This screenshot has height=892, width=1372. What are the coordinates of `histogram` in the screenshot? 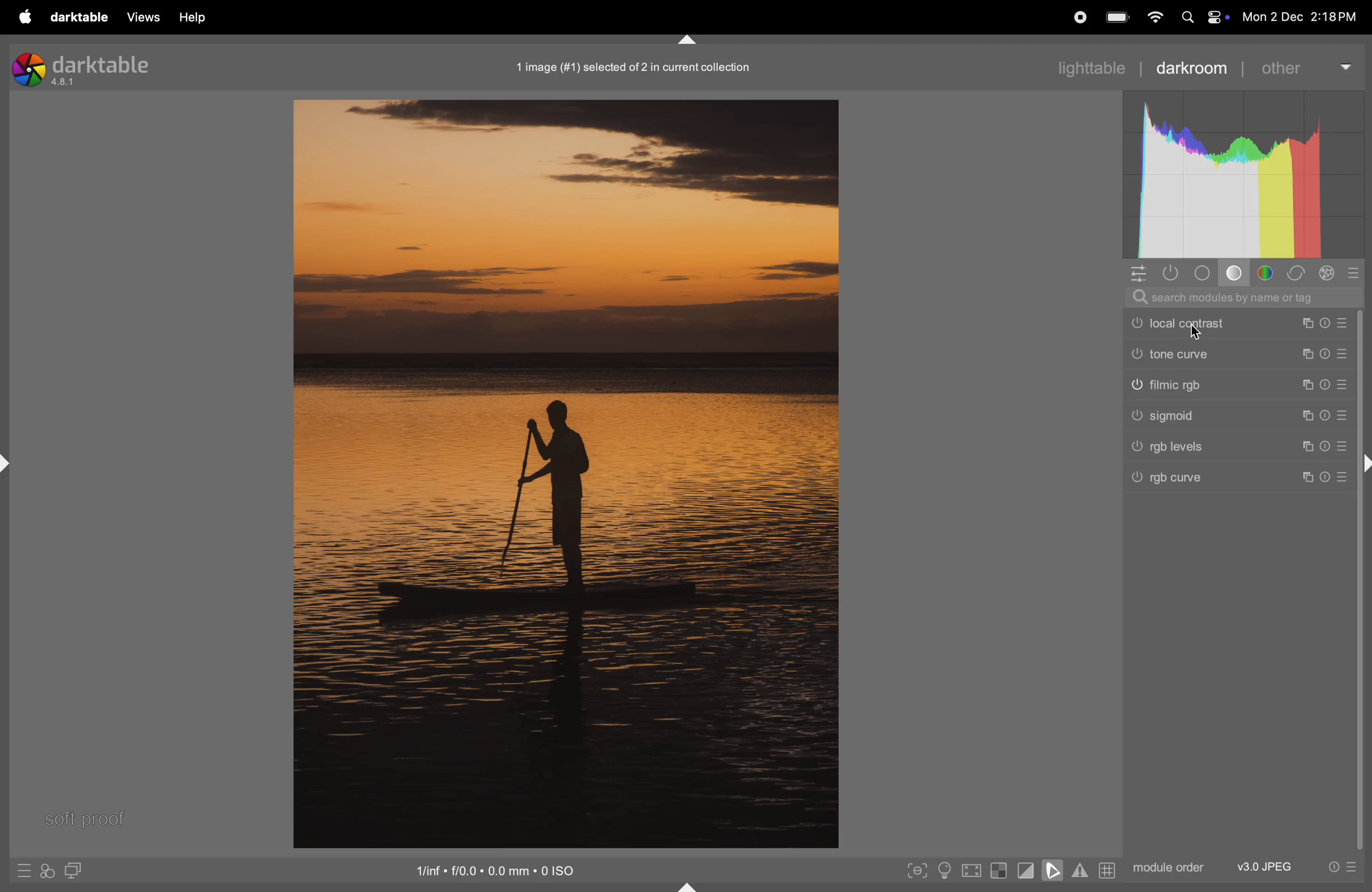 It's located at (1245, 175).